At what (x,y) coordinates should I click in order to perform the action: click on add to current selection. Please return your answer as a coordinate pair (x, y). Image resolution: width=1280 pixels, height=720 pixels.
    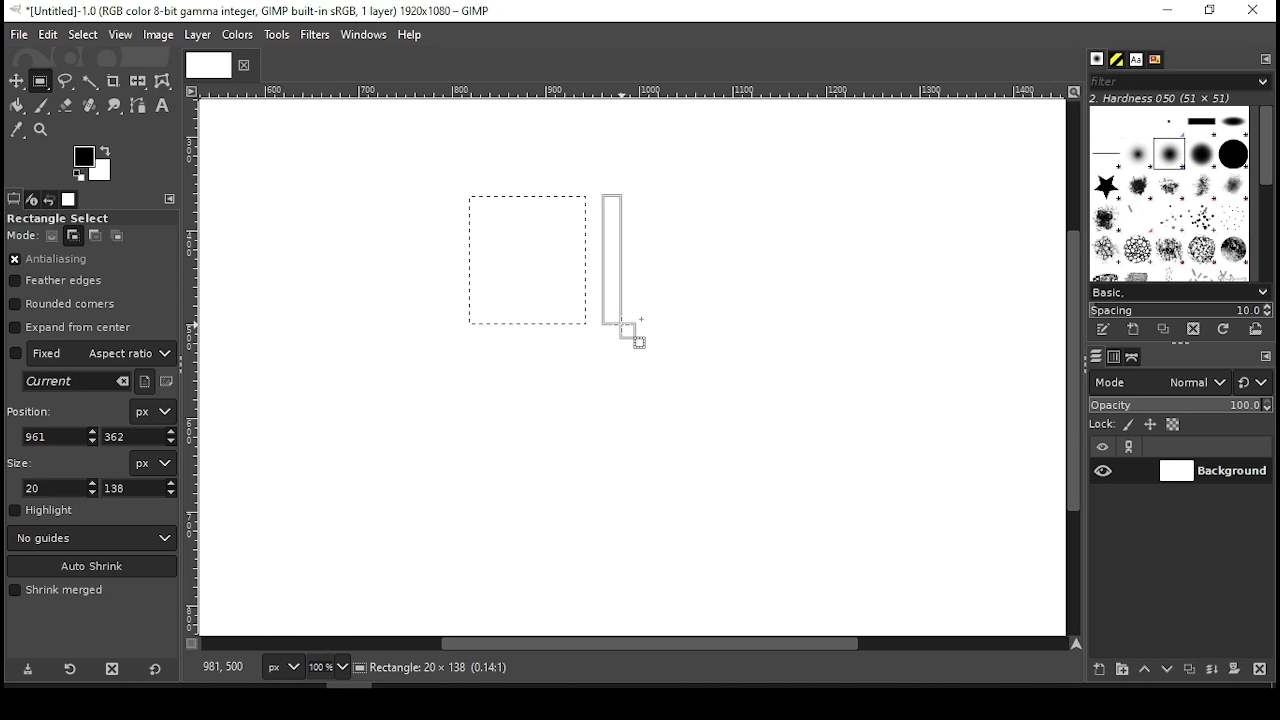
    Looking at the image, I should click on (74, 236).